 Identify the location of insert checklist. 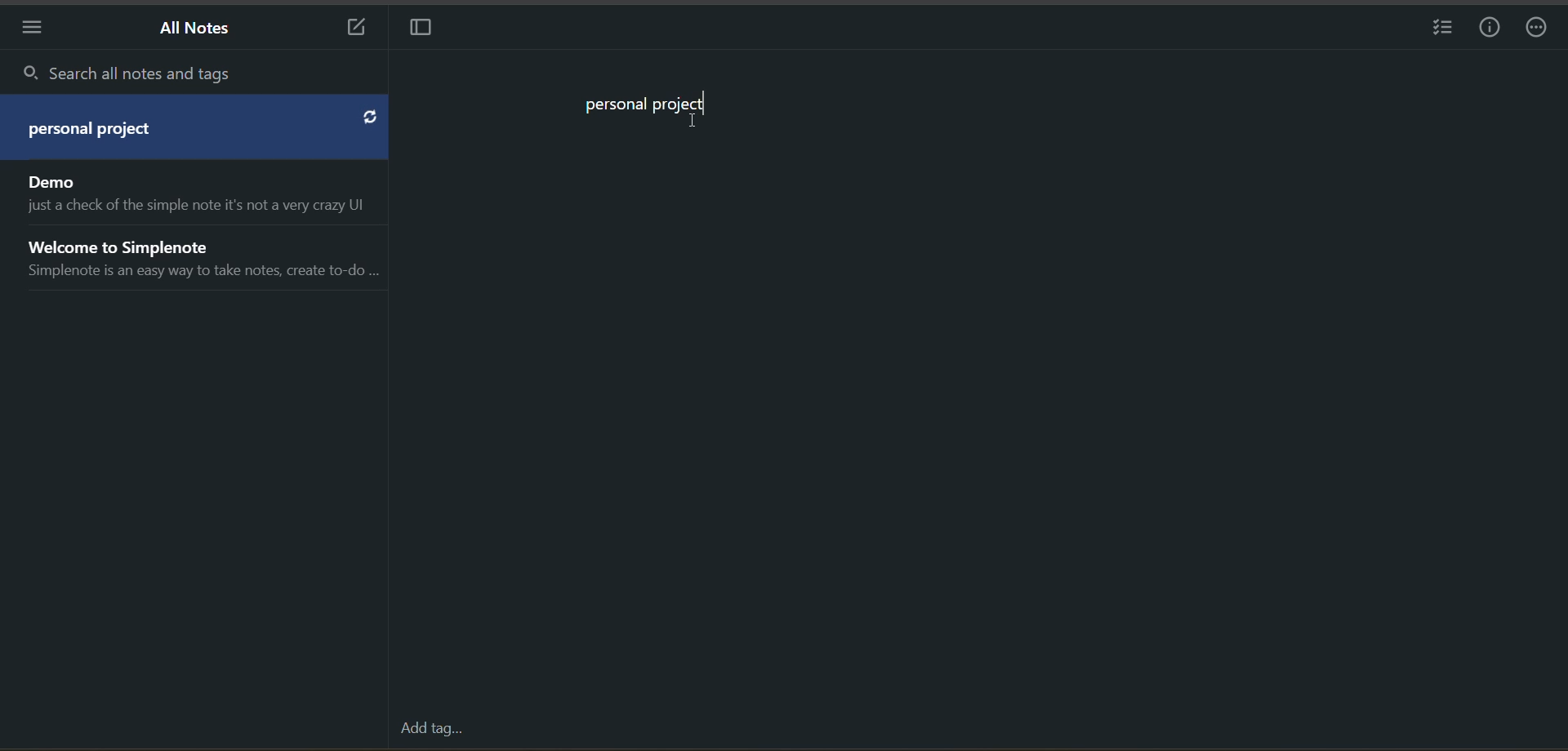
(1438, 31).